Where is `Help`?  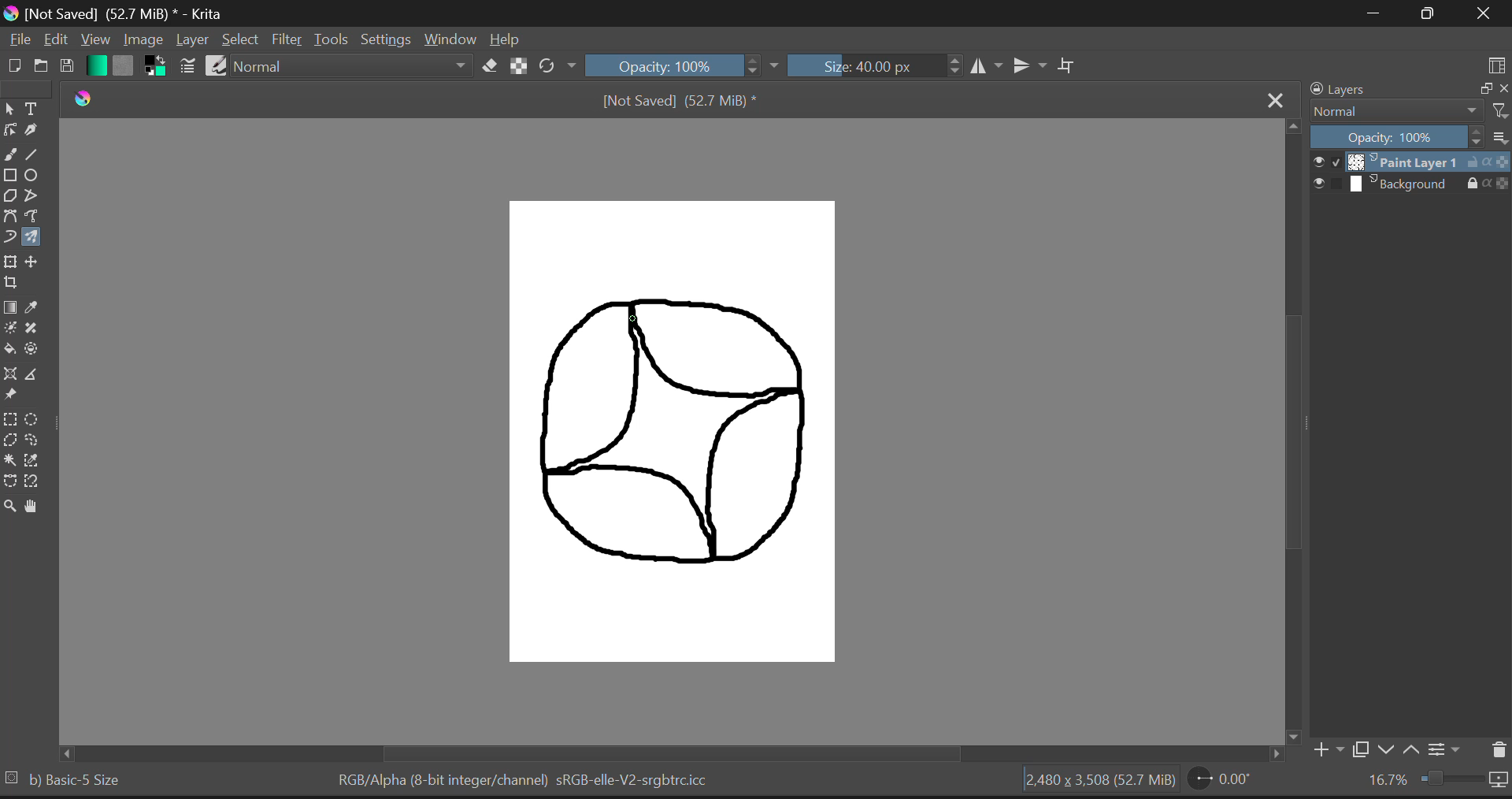 Help is located at coordinates (506, 41).